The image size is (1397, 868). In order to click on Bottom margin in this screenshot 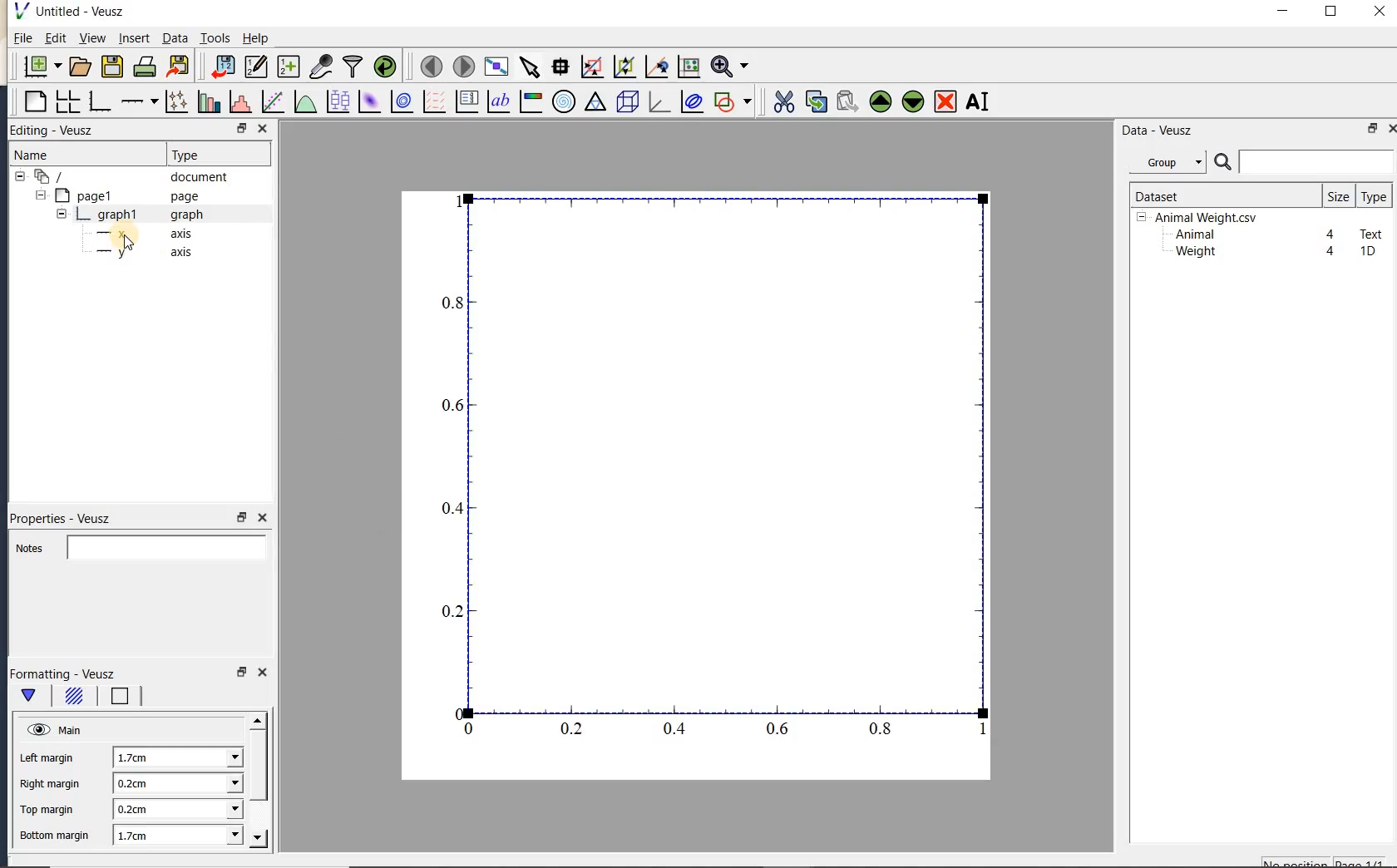, I will do `click(52, 836)`.